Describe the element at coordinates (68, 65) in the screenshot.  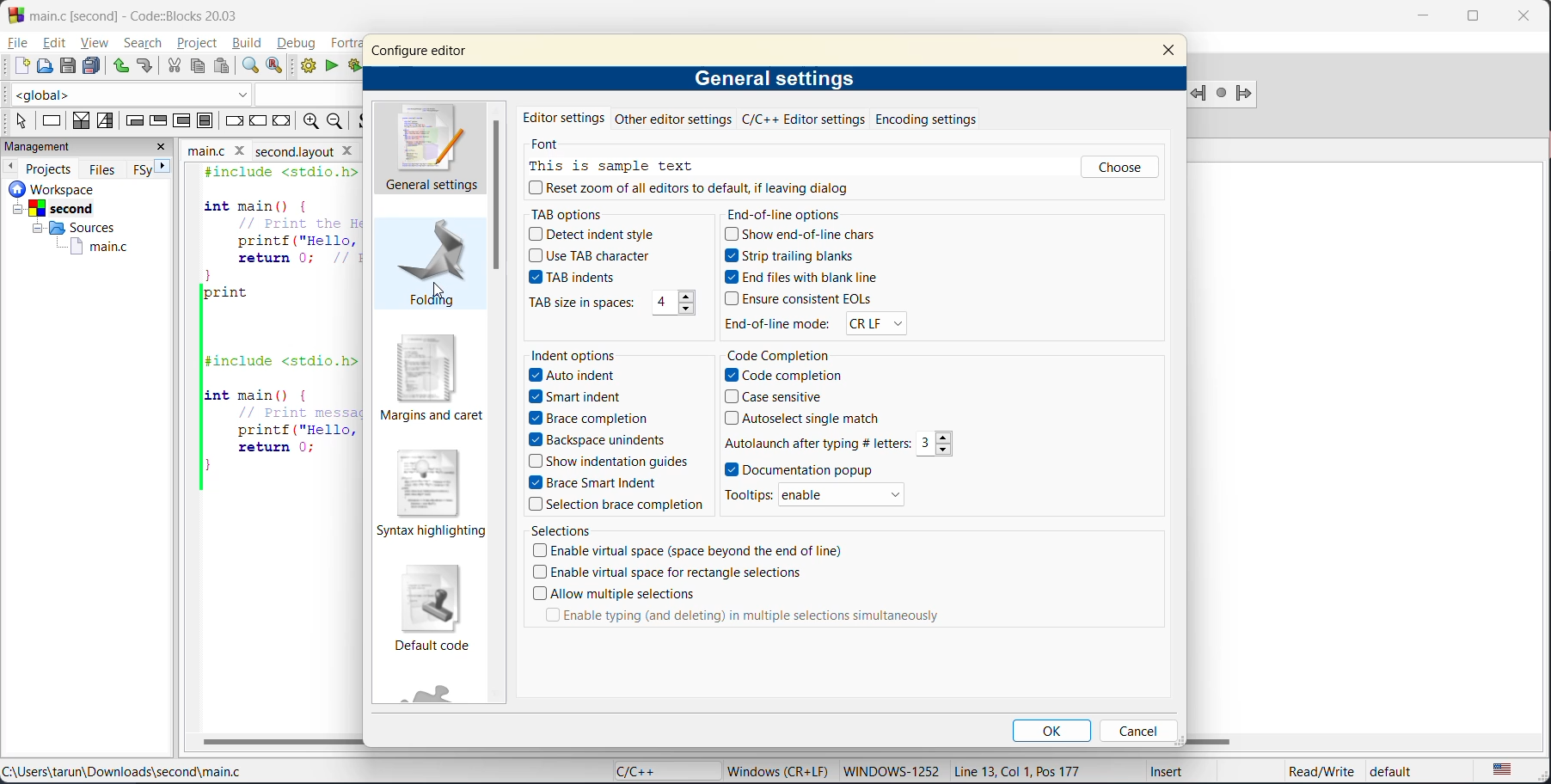
I see `save` at that location.